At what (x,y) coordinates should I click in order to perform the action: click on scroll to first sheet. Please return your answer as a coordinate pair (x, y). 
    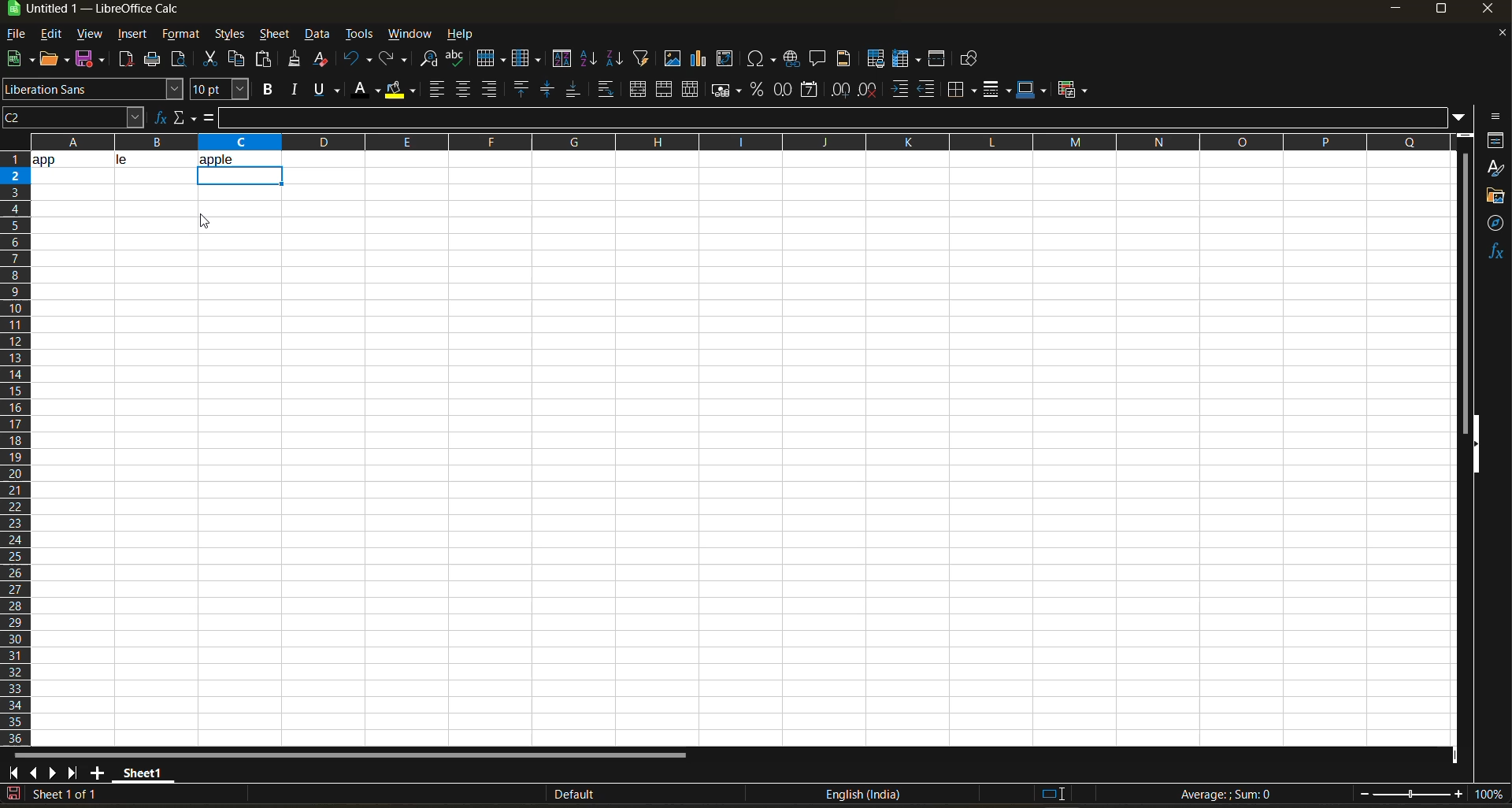
    Looking at the image, I should click on (14, 770).